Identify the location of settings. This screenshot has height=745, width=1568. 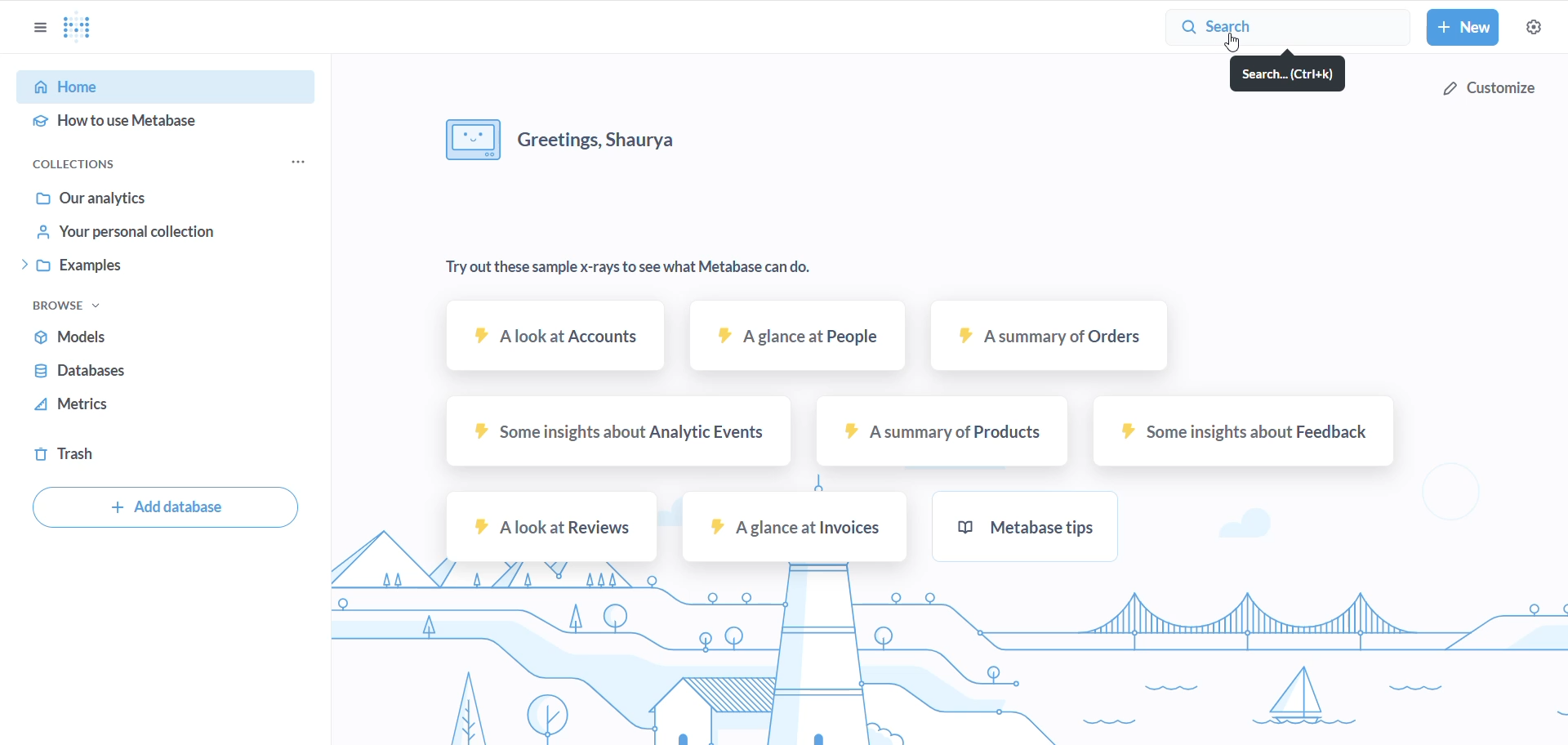
(1535, 29).